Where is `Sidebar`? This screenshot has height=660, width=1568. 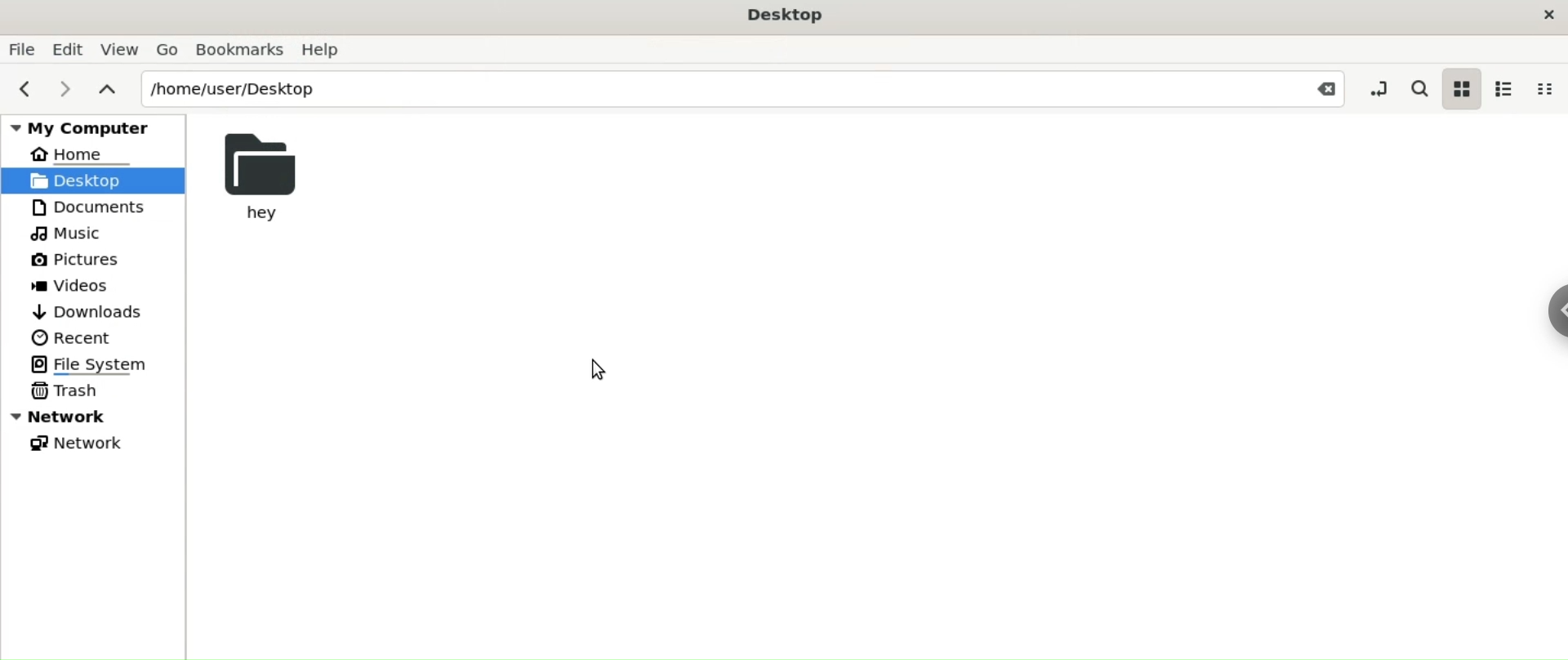 Sidebar is located at coordinates (1528, 313).